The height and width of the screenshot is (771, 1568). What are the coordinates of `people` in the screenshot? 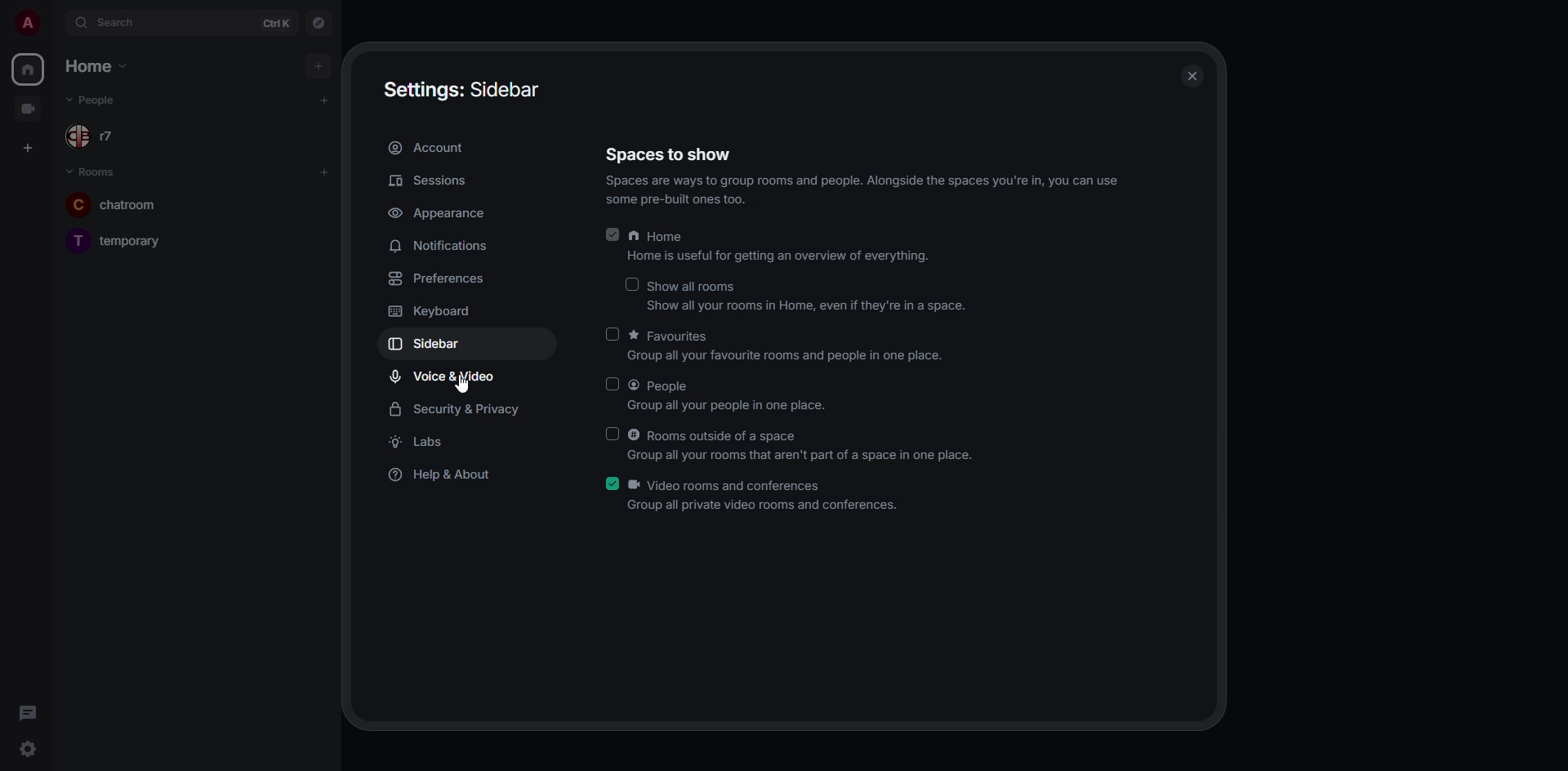 It's located at (731, 395).